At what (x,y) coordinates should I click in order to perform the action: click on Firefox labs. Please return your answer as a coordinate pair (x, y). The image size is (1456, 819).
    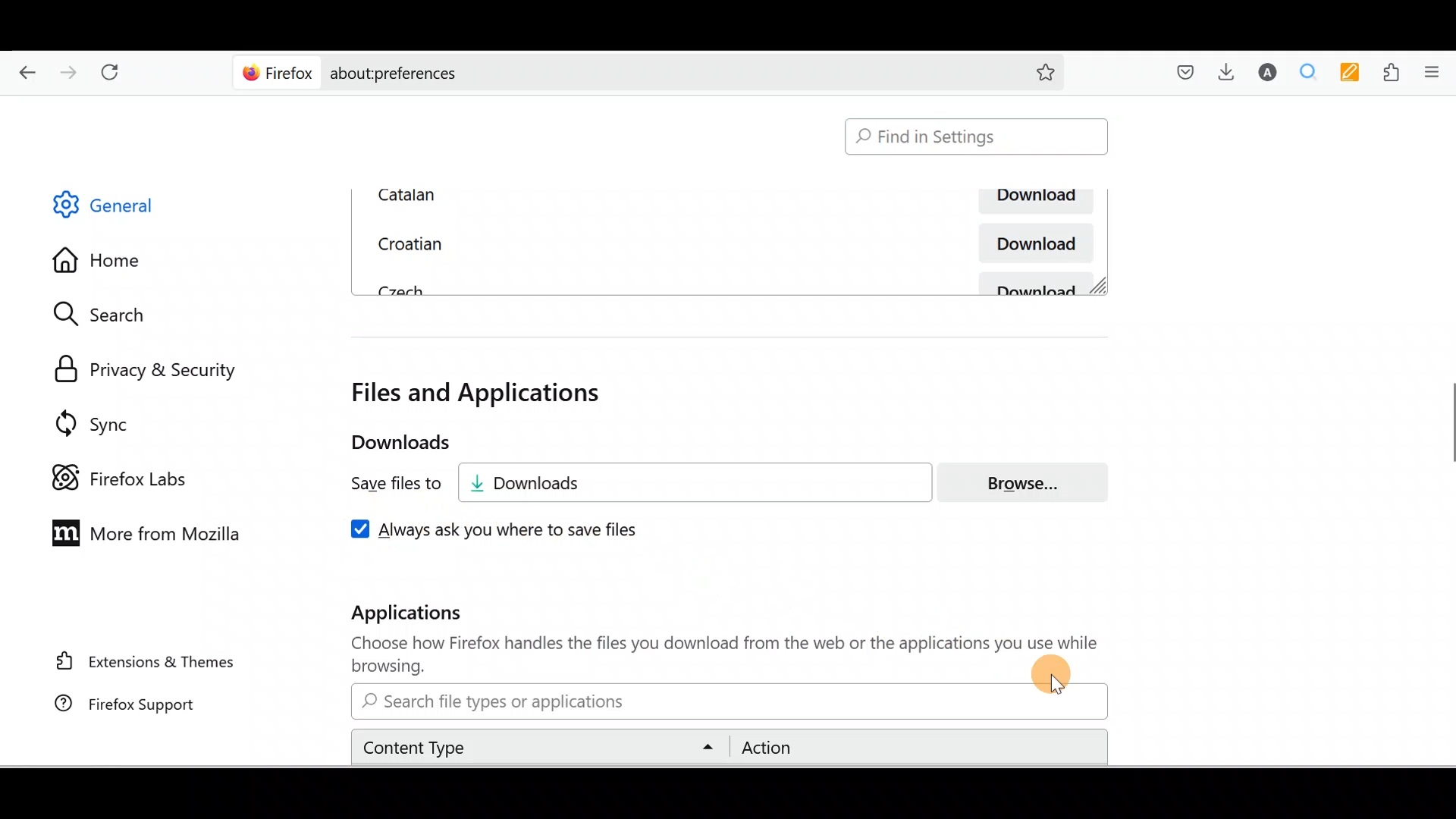
    Looking at the image, I should click on (115, 470).